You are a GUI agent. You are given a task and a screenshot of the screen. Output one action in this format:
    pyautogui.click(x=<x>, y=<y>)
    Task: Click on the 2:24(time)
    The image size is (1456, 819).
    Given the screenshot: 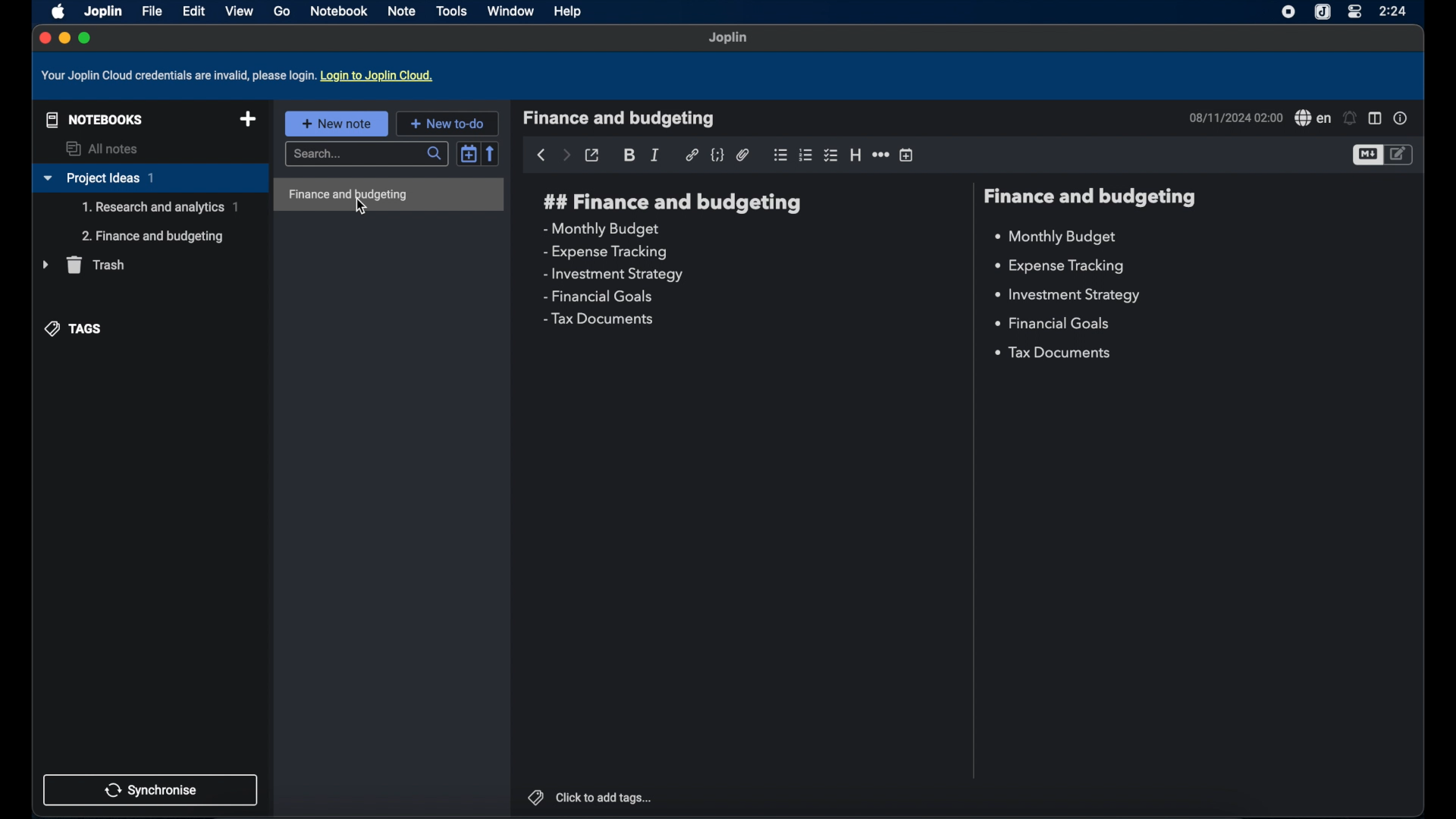 What is the action you would take?
    pyautogui.click(x=1395, y=11)
    